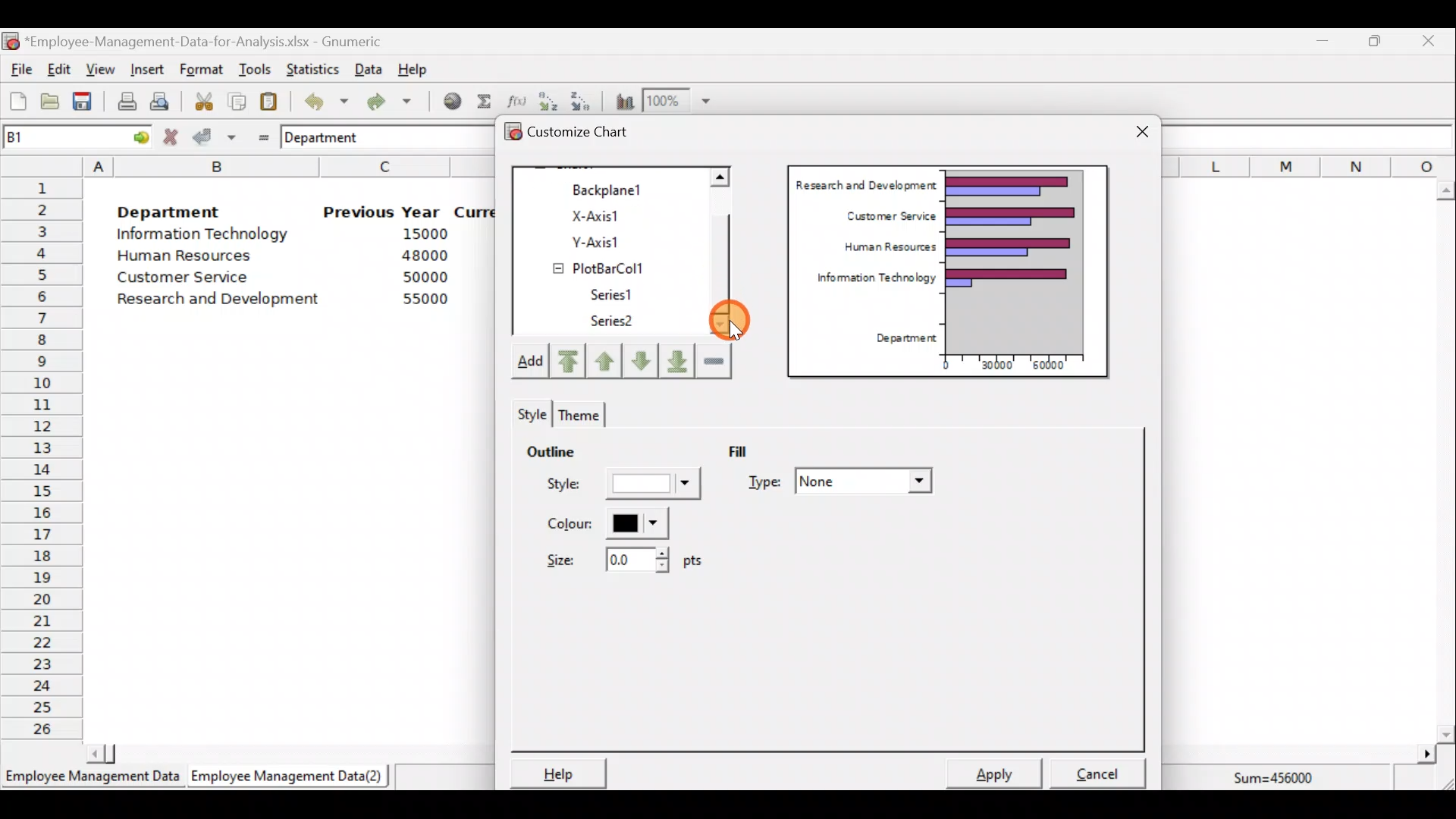 The image size is (1456, 819). I want to click on Statistics, so click(309, 67).